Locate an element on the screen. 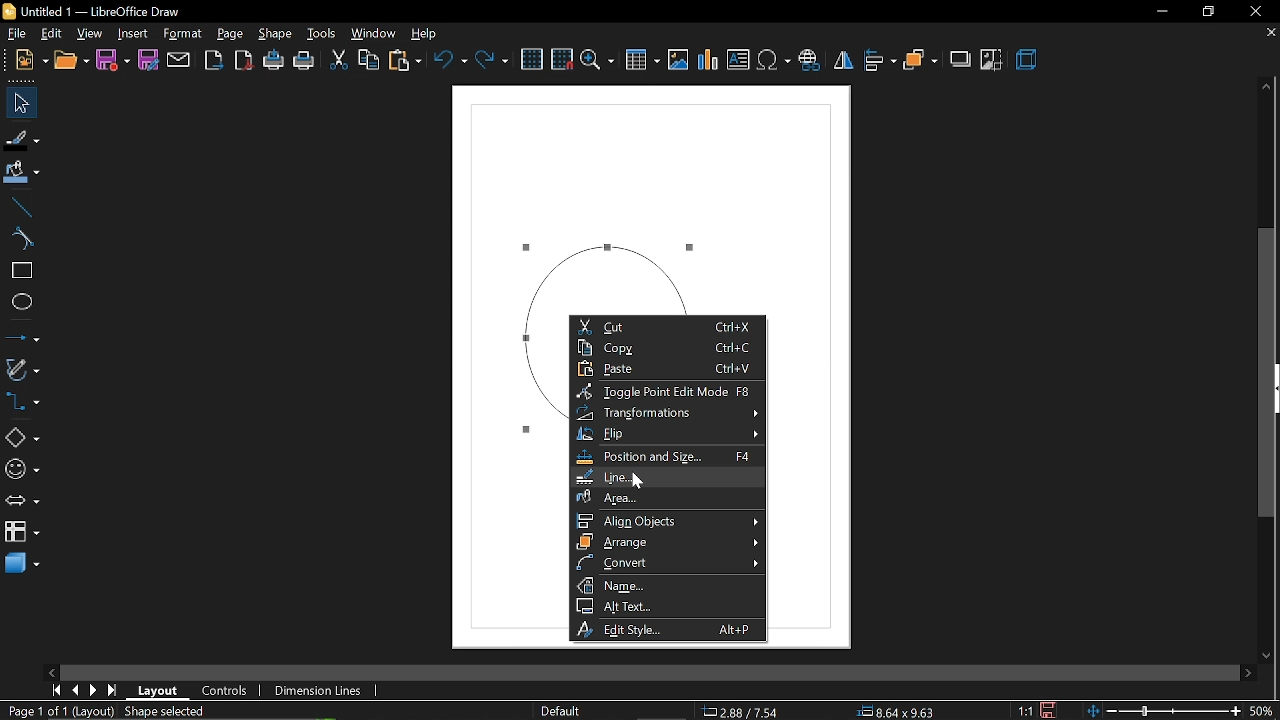  close current tab is located at coordinates (1269, 35).